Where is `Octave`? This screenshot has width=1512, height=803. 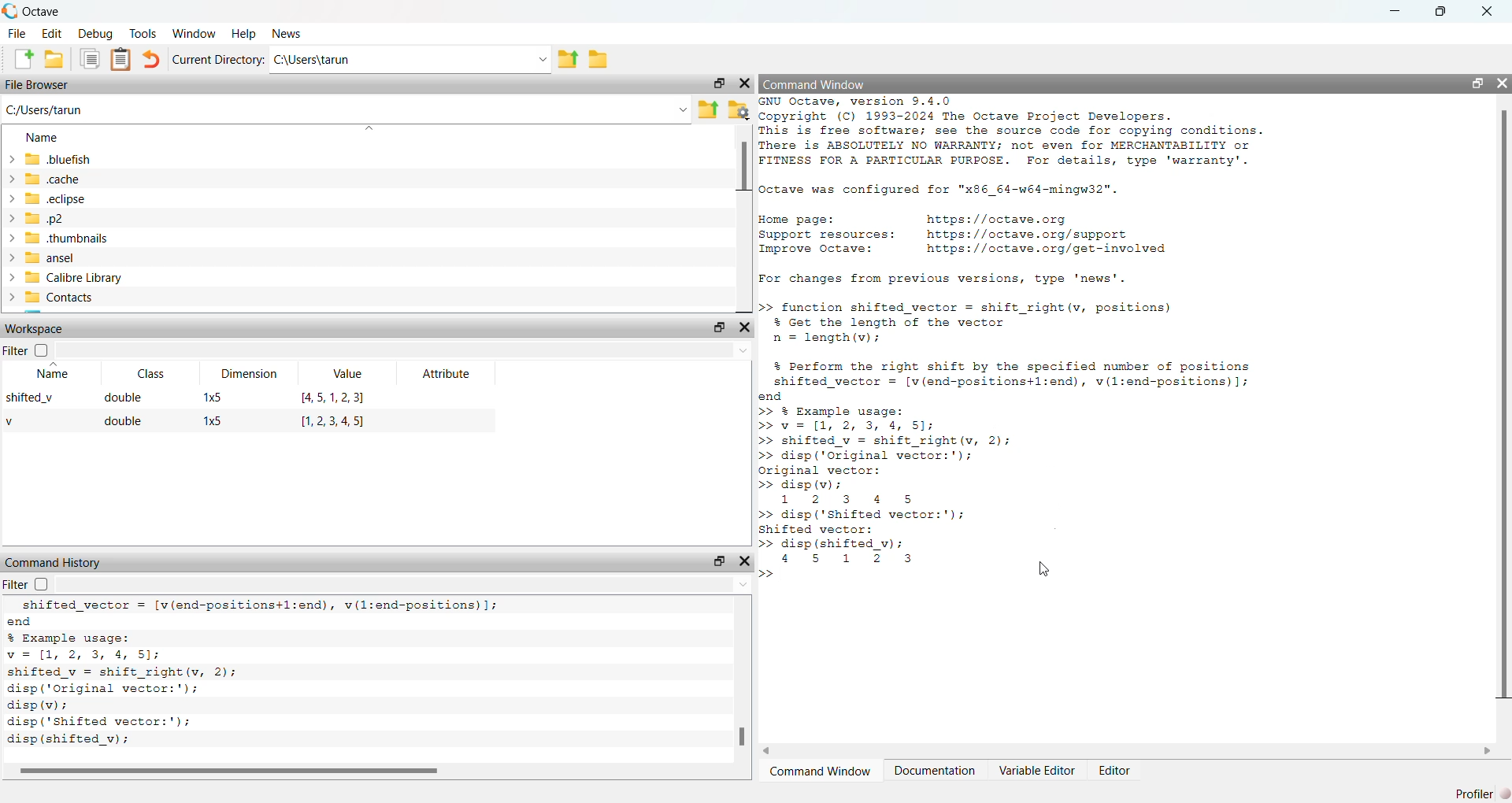
Octave is located at coordinates (66, 9).